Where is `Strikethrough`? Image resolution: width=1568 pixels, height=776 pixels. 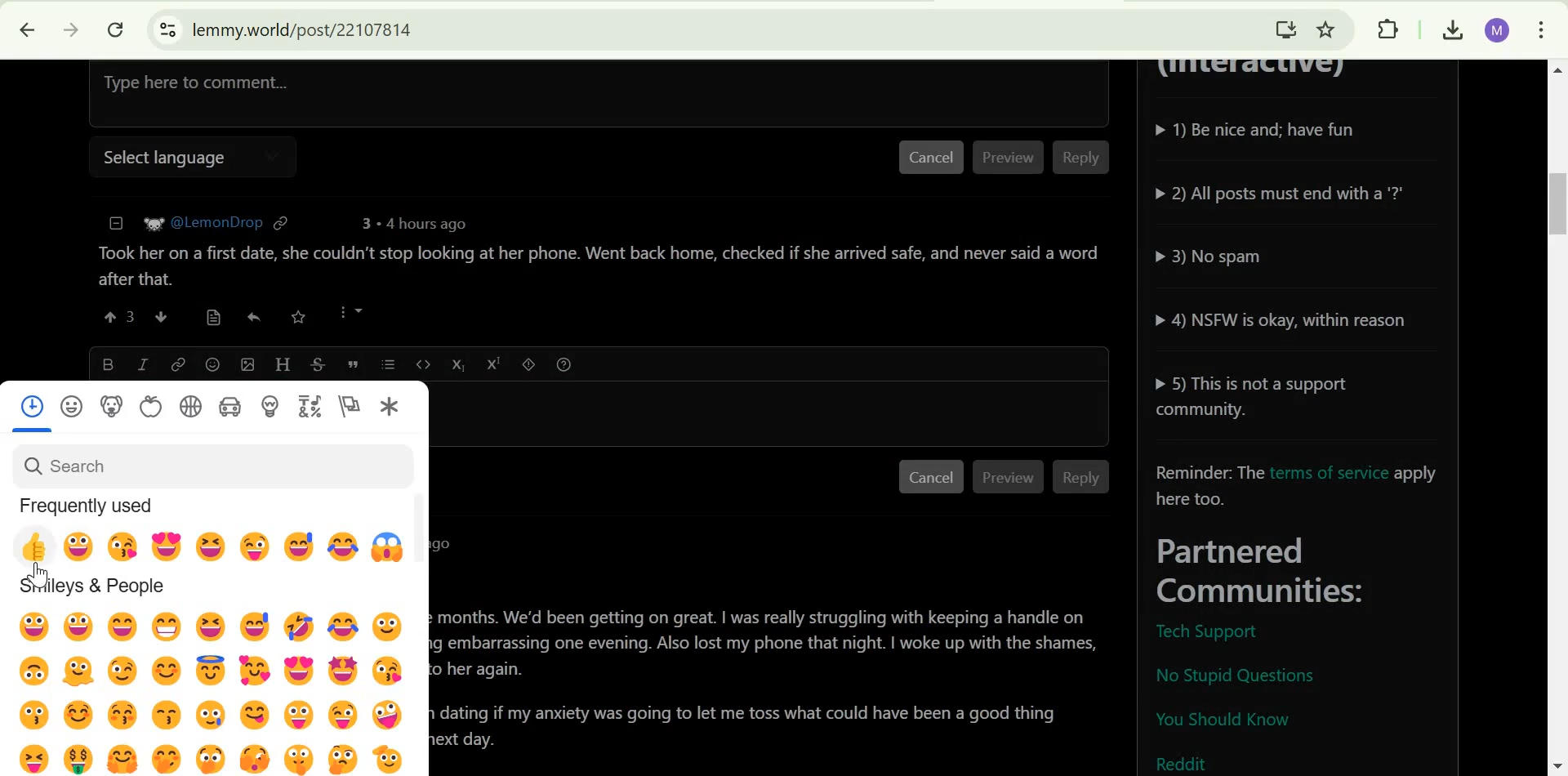
Strikethrough is located at coordinates (318, 362).